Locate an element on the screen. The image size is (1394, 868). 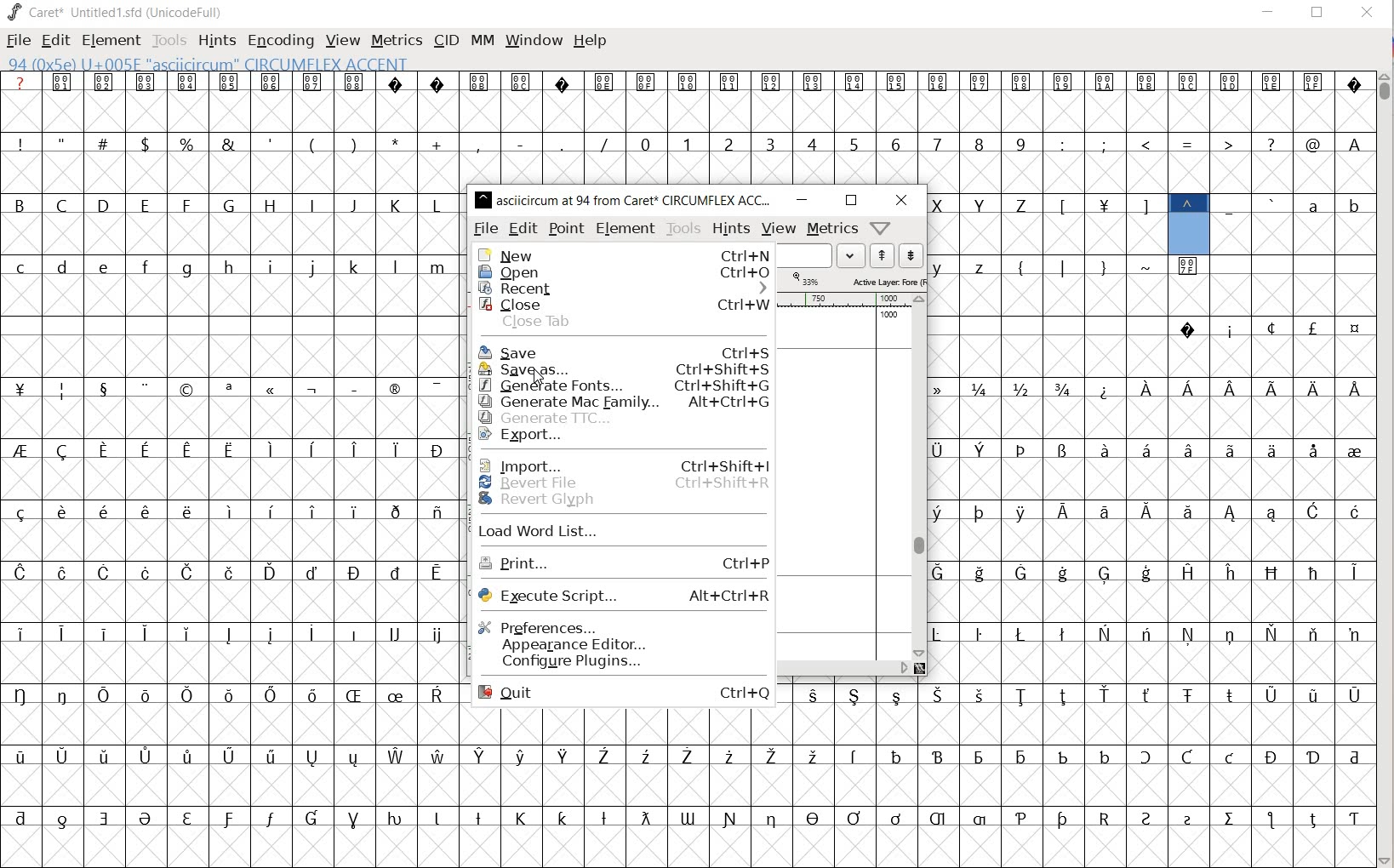
new is located at coordinates (622, 254).